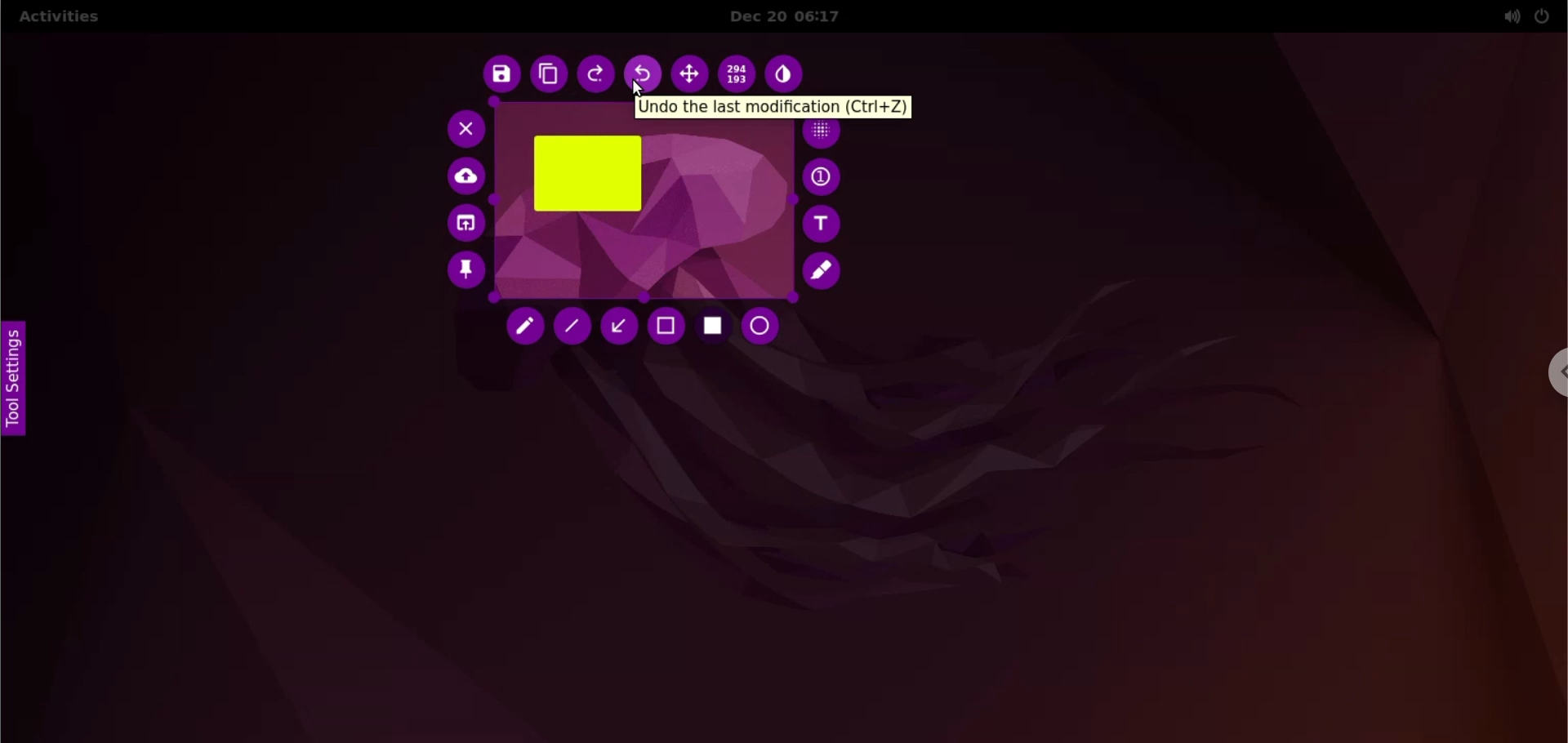  Describe the element at coordinates (20, 380) in the screenshot. I see `tool settings` at that location.